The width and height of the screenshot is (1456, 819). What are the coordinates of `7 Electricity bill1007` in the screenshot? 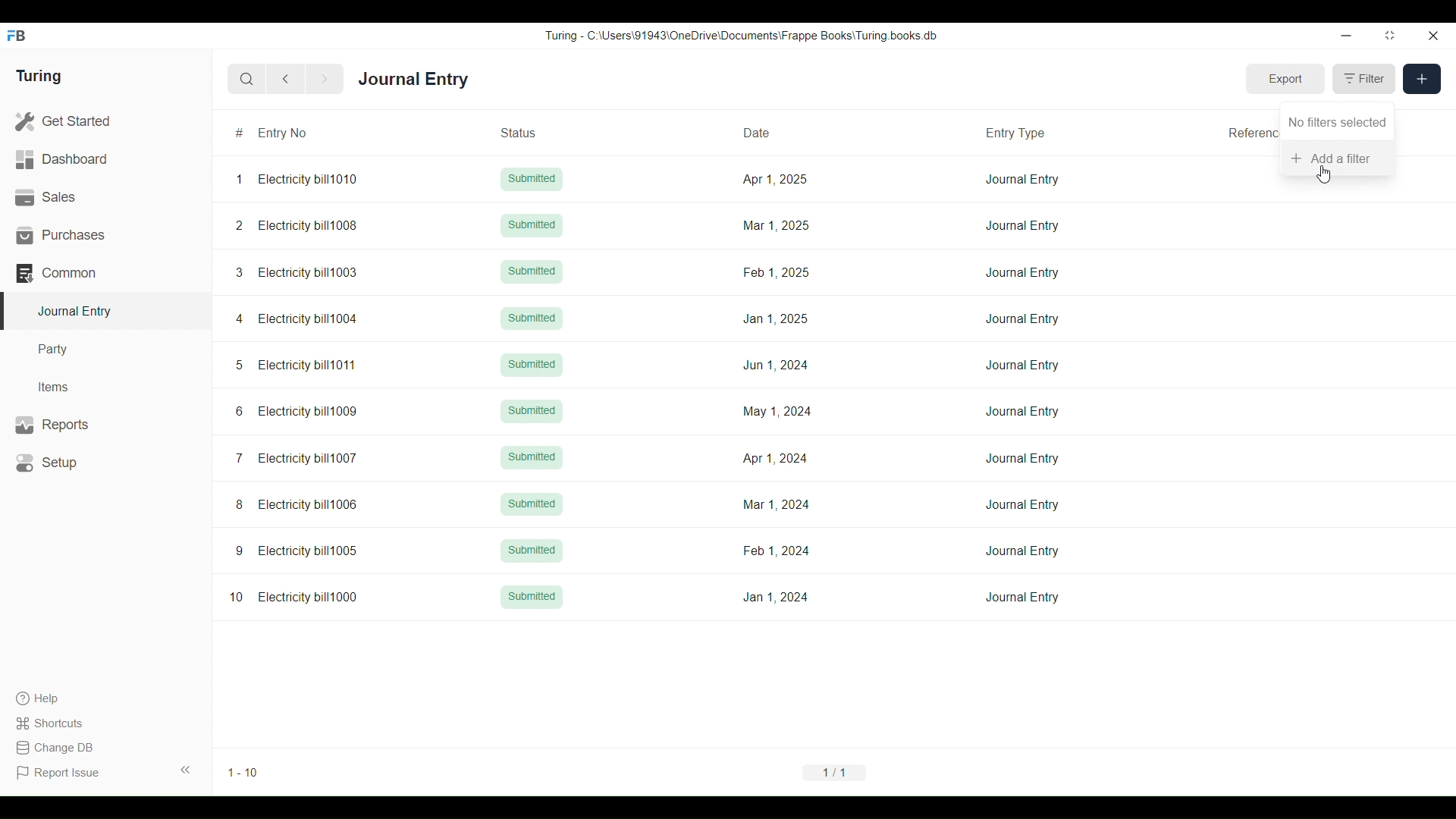 It's located at (296, 458).